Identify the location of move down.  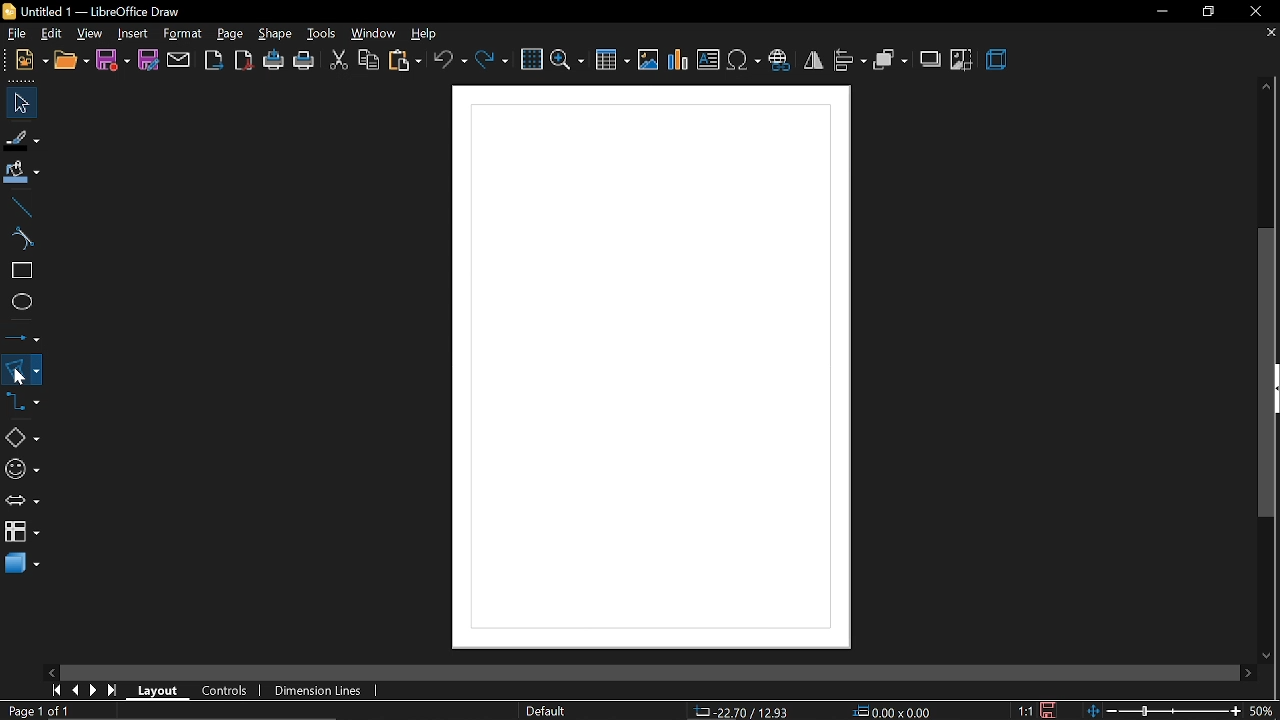
(1268, 653).